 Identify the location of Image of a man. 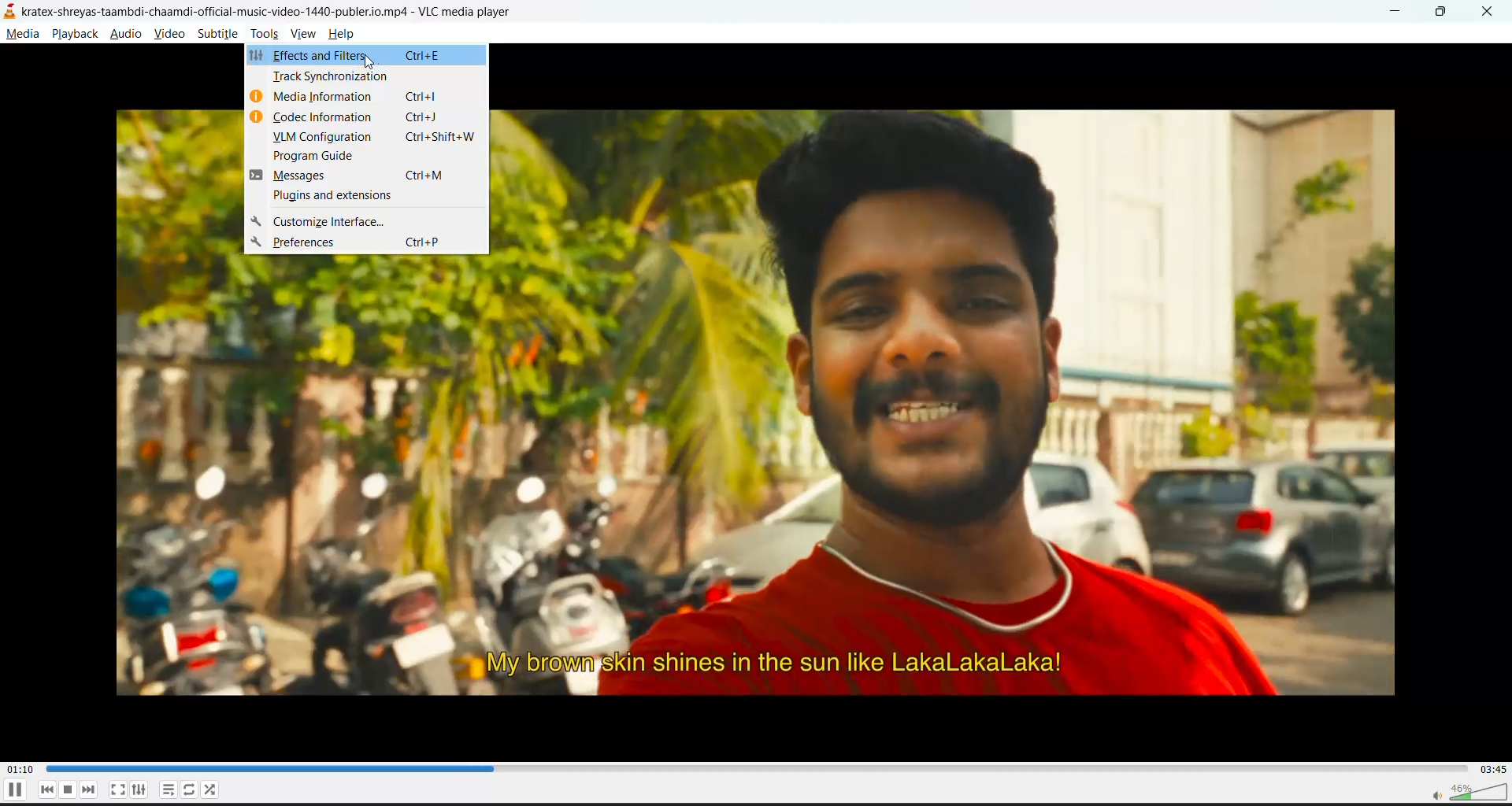
(952, 372).